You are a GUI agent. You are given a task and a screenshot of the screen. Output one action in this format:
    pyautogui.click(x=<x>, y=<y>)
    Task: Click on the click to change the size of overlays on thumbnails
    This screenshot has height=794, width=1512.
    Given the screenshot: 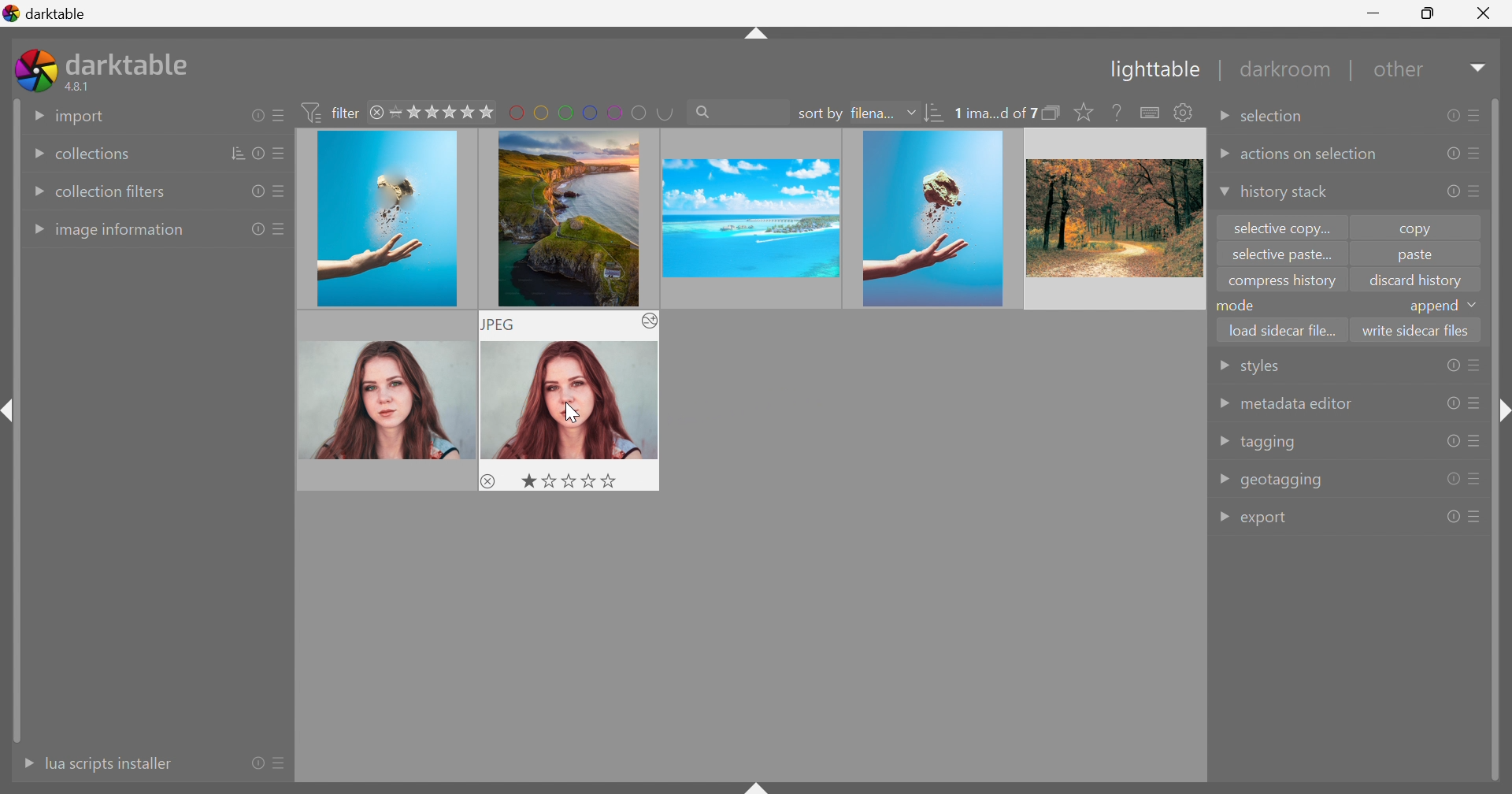 What is the action you would take?
    pyautogui.click(x=1080, y=113)
    